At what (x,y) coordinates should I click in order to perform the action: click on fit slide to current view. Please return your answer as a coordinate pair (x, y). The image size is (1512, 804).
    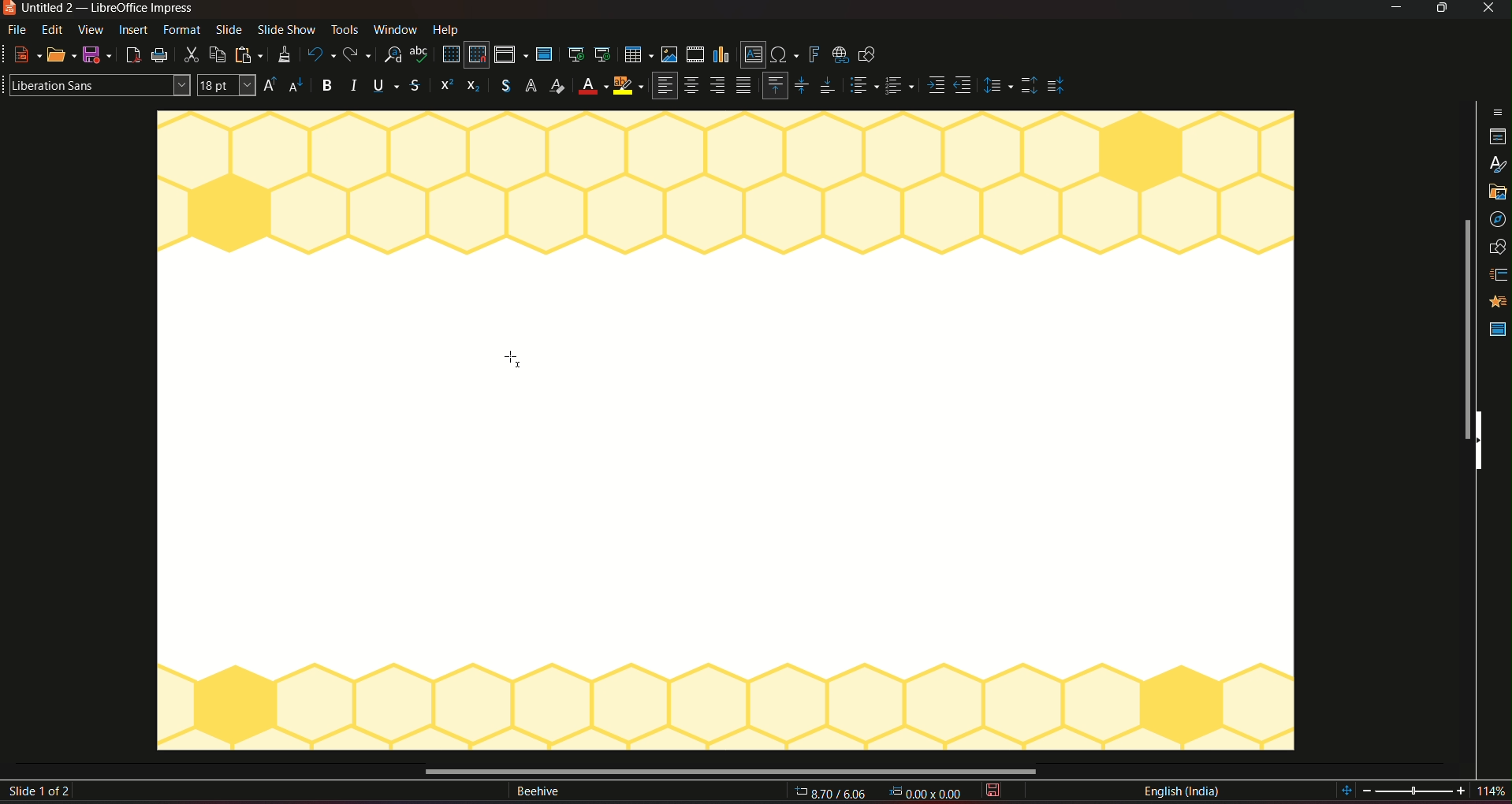
    Looking at the image, I should click on (1347, 791).